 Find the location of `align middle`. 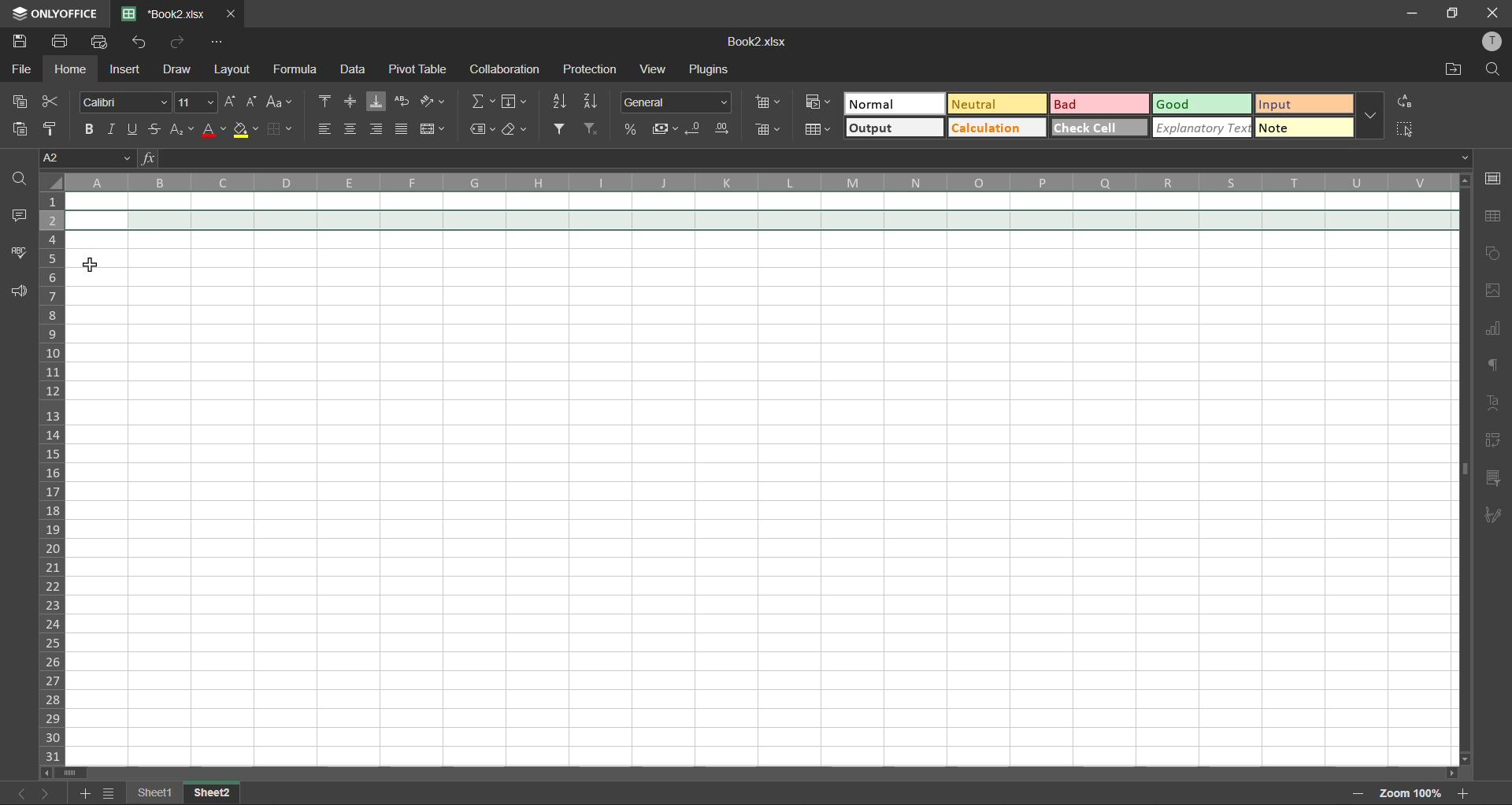

align middle is located at coordinates (351, 99).